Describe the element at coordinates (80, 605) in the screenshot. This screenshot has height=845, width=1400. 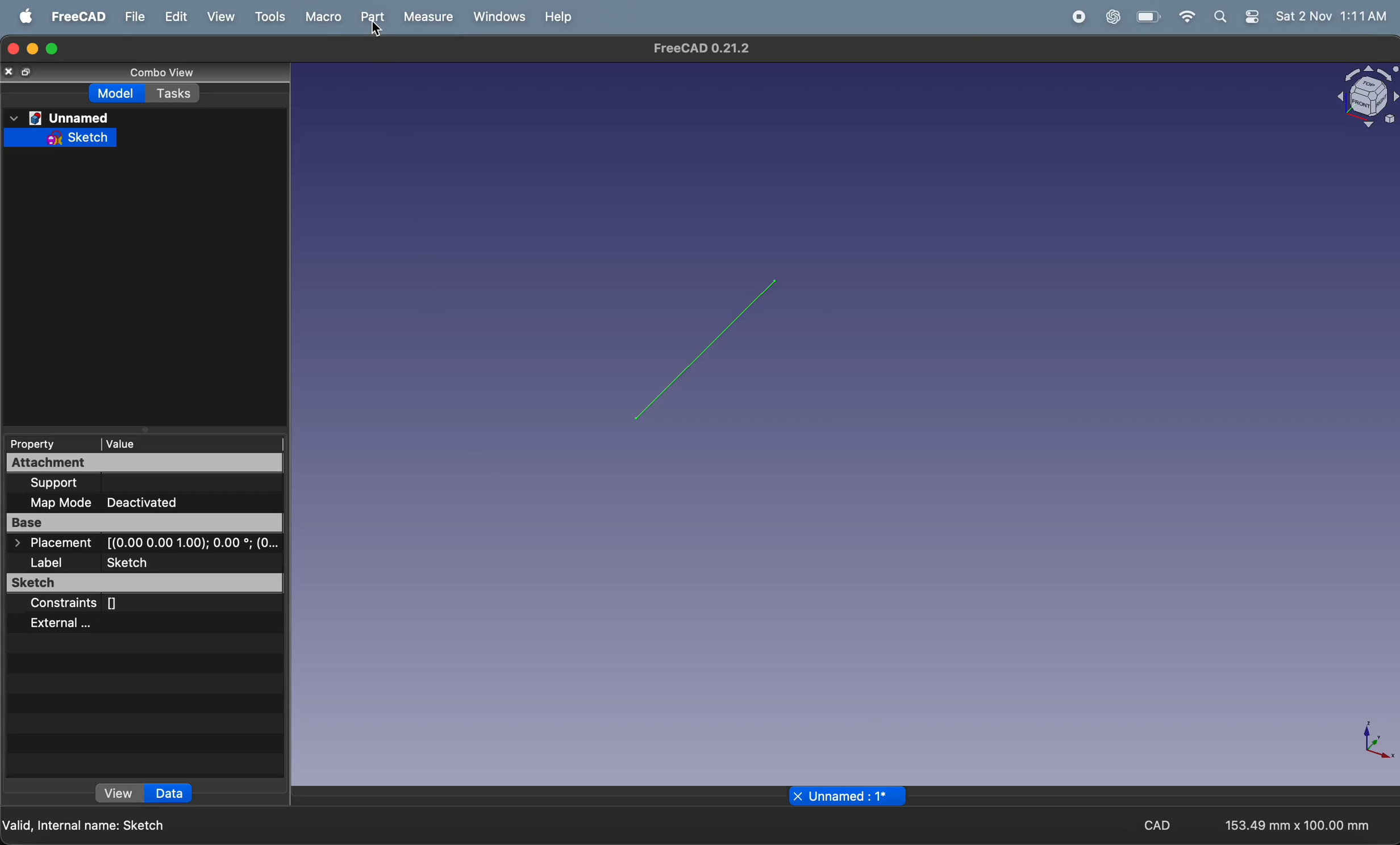
I see `constraints []` at that location.